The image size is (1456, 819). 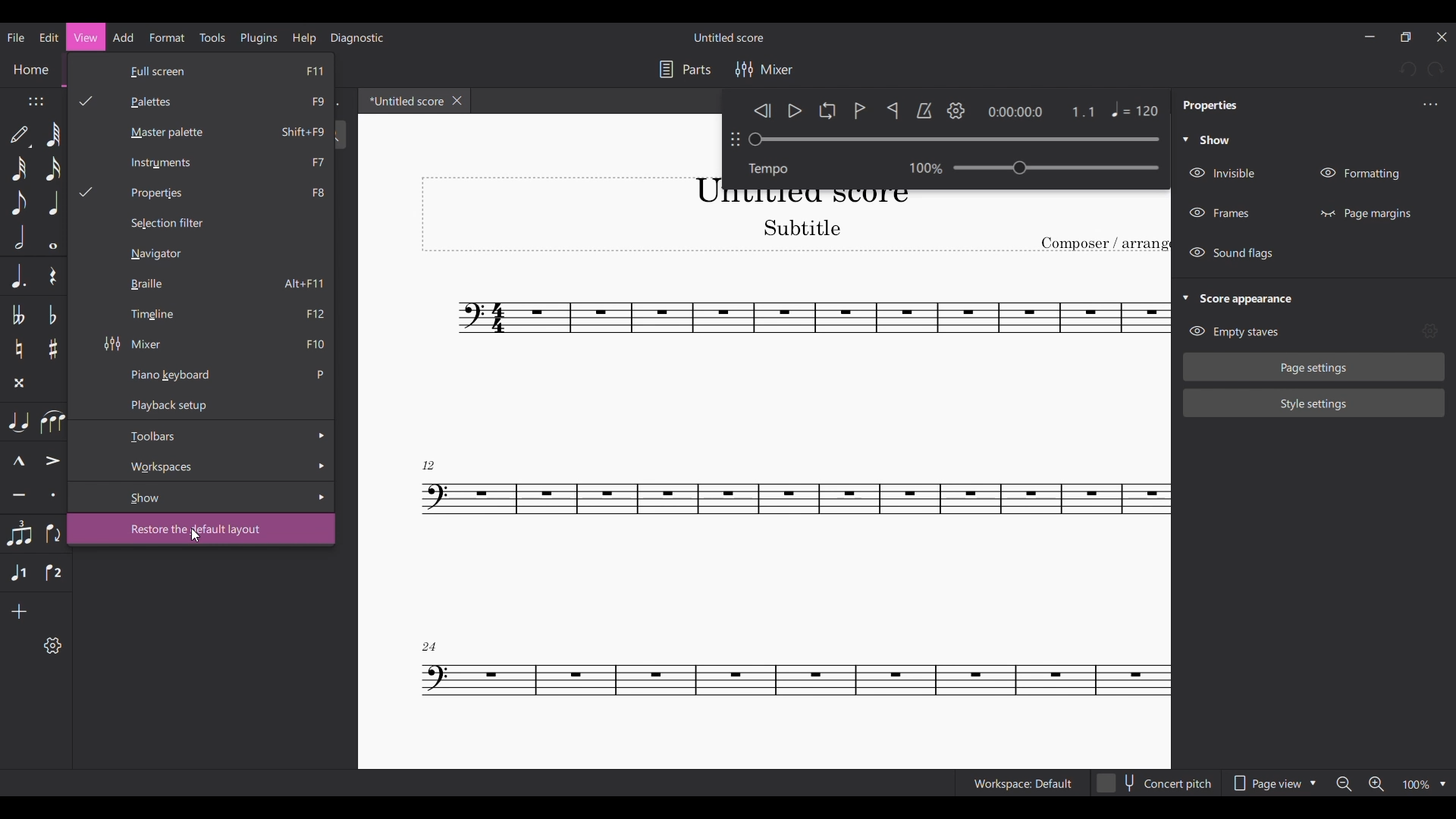 What do you see at coordinates (1376, 784) in the screenshot?
I see `Zoom in` at bounding box center [1376, 784].